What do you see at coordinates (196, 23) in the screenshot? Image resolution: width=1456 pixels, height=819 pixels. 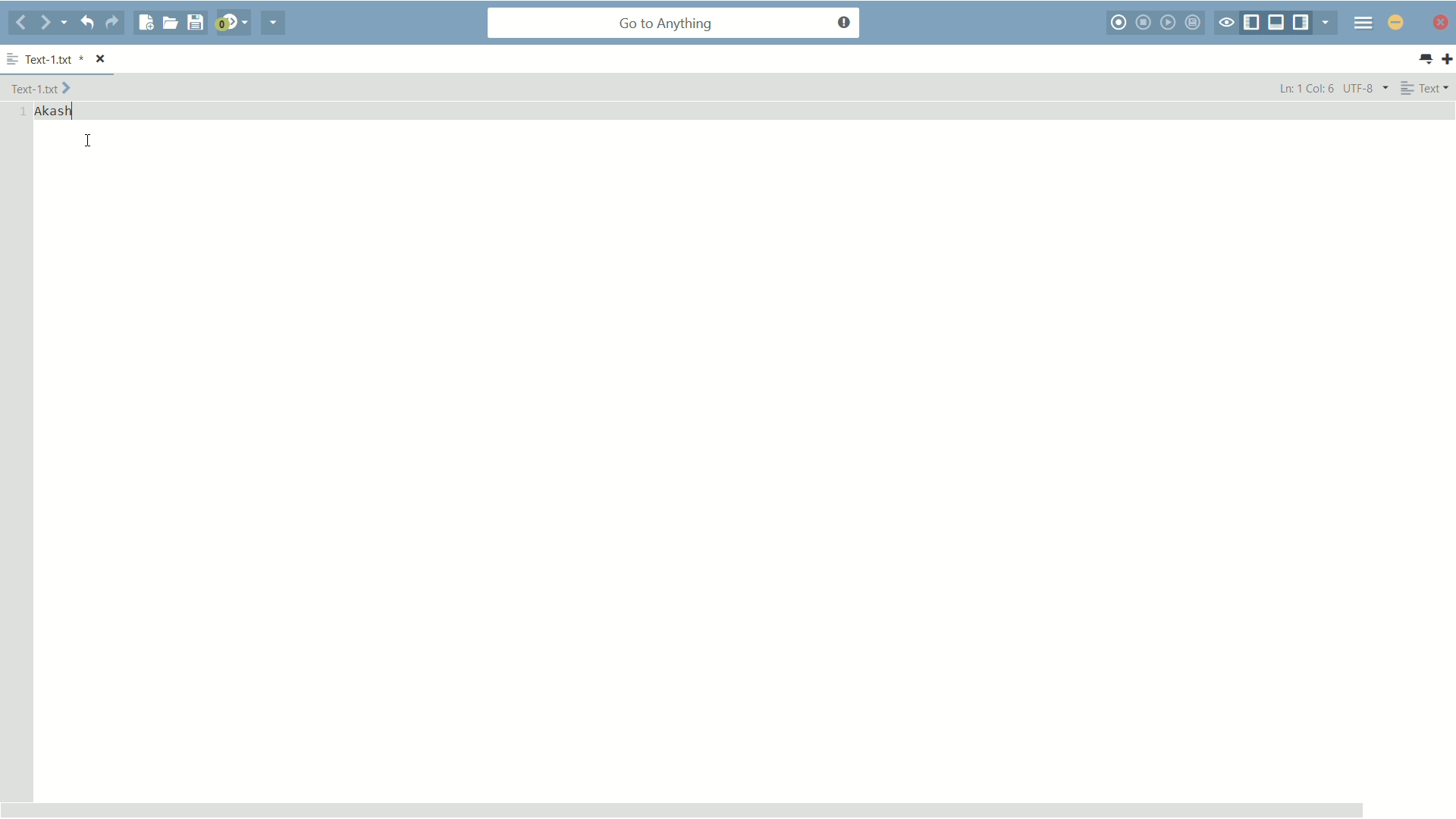 I see `save file` at bounding box center [196, 23].